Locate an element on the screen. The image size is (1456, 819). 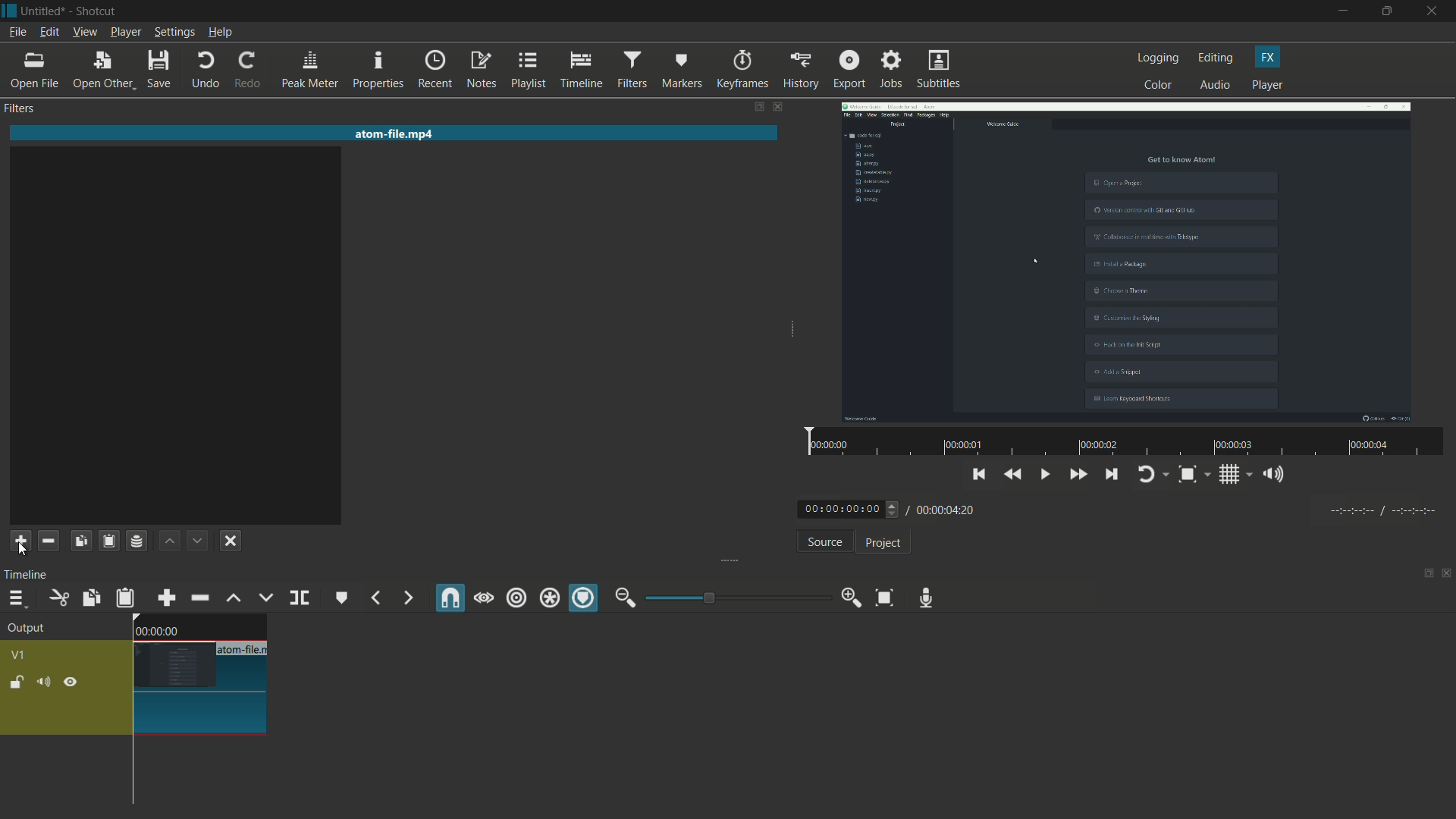
toggle player logging is located at coordinates (1153, 474).